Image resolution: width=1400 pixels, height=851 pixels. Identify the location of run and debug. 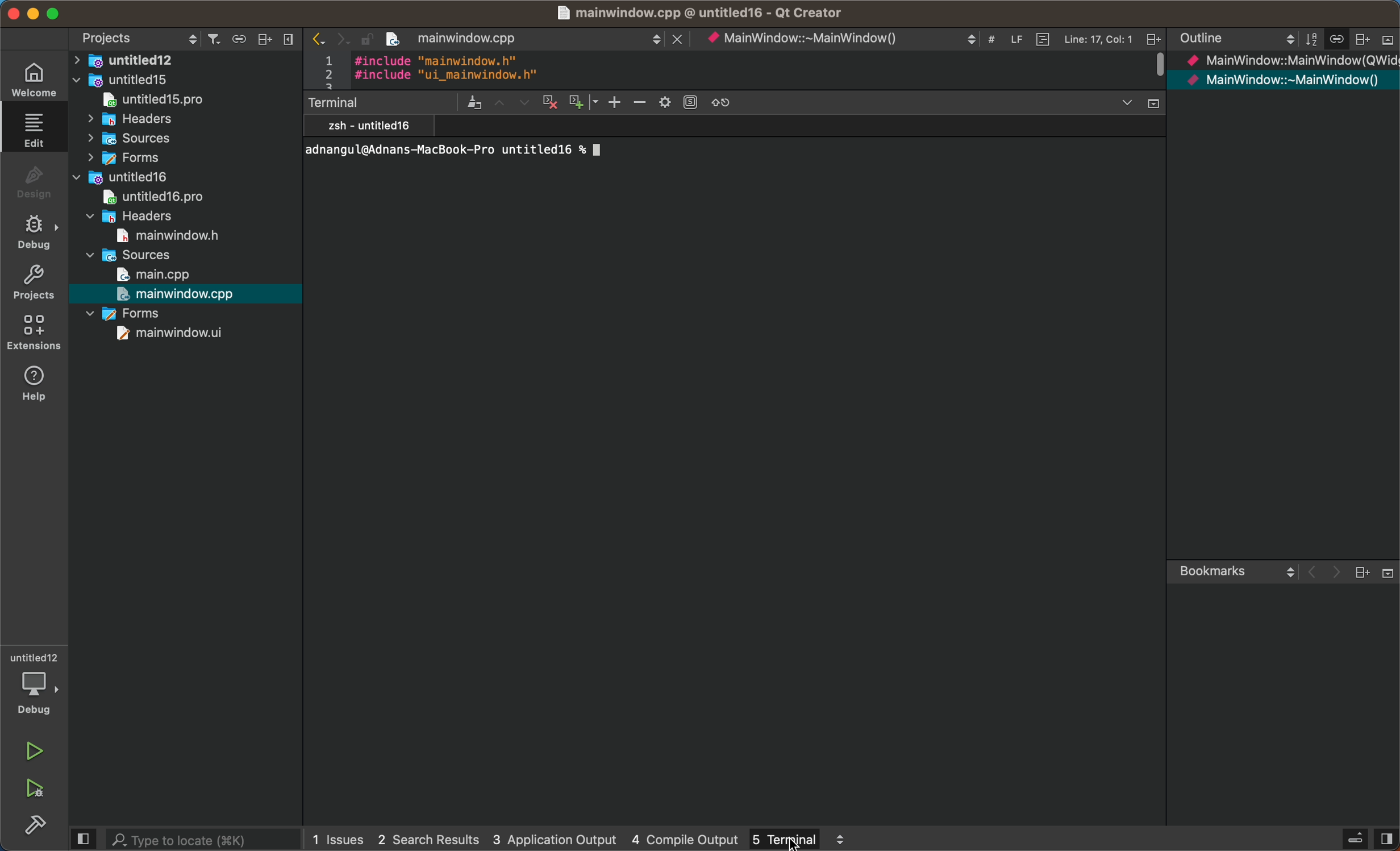
(39, 790).